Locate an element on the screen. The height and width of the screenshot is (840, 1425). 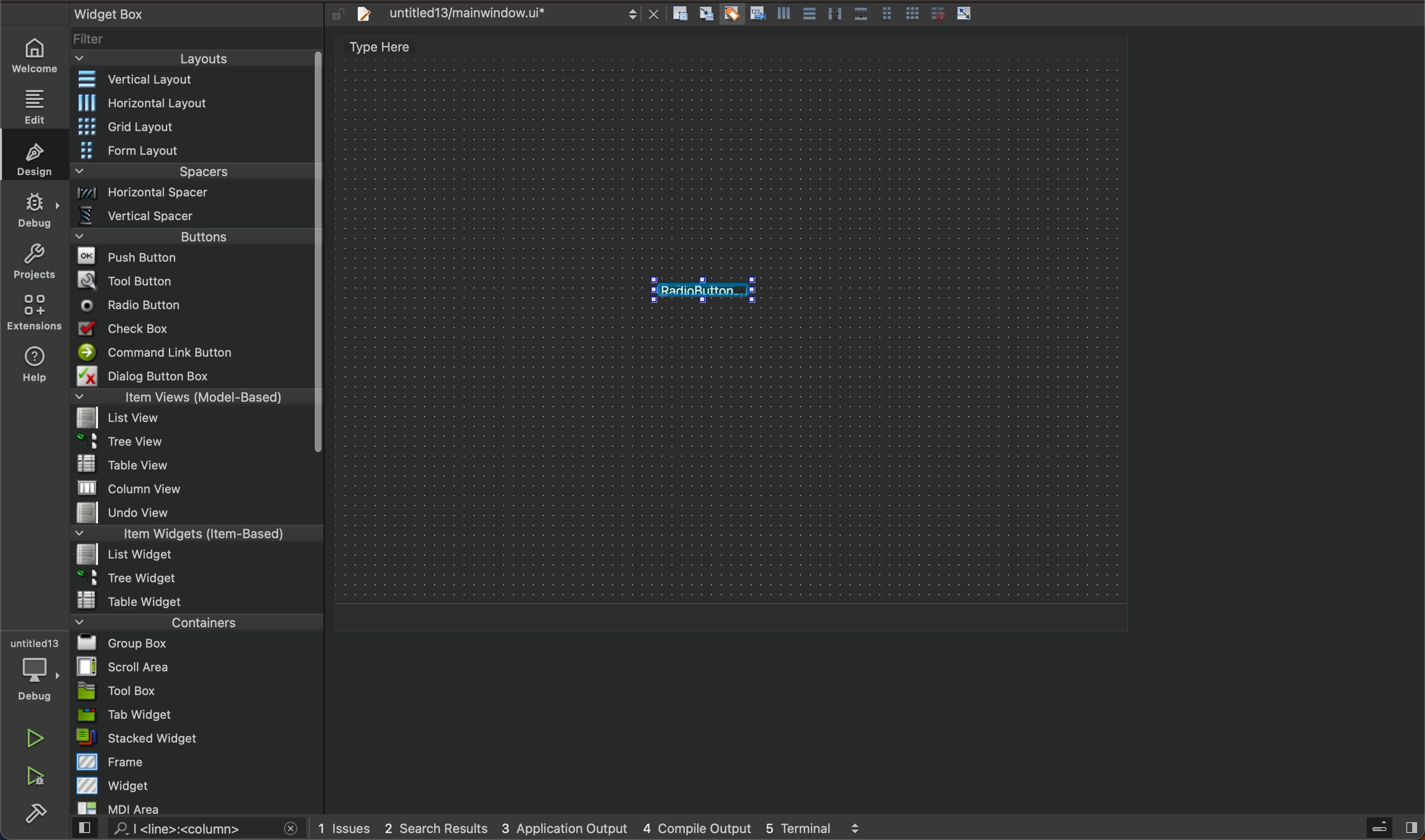
widget box is located at coordinates (181, 13).